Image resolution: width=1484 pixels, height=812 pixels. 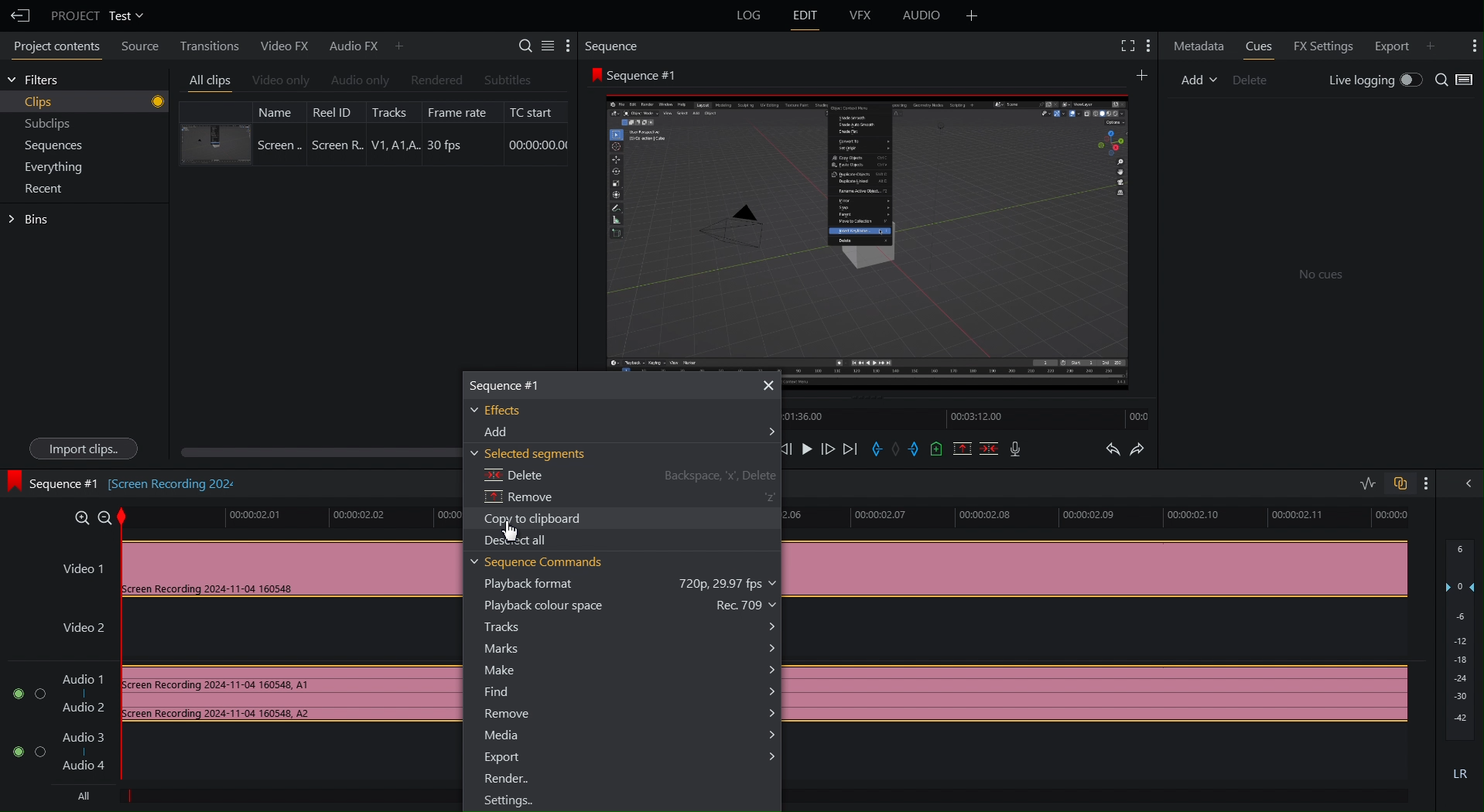 What do you see at coordinates (517, 541) in the screenshot?
I see `Deselect All` at bounding box center [517, 541].